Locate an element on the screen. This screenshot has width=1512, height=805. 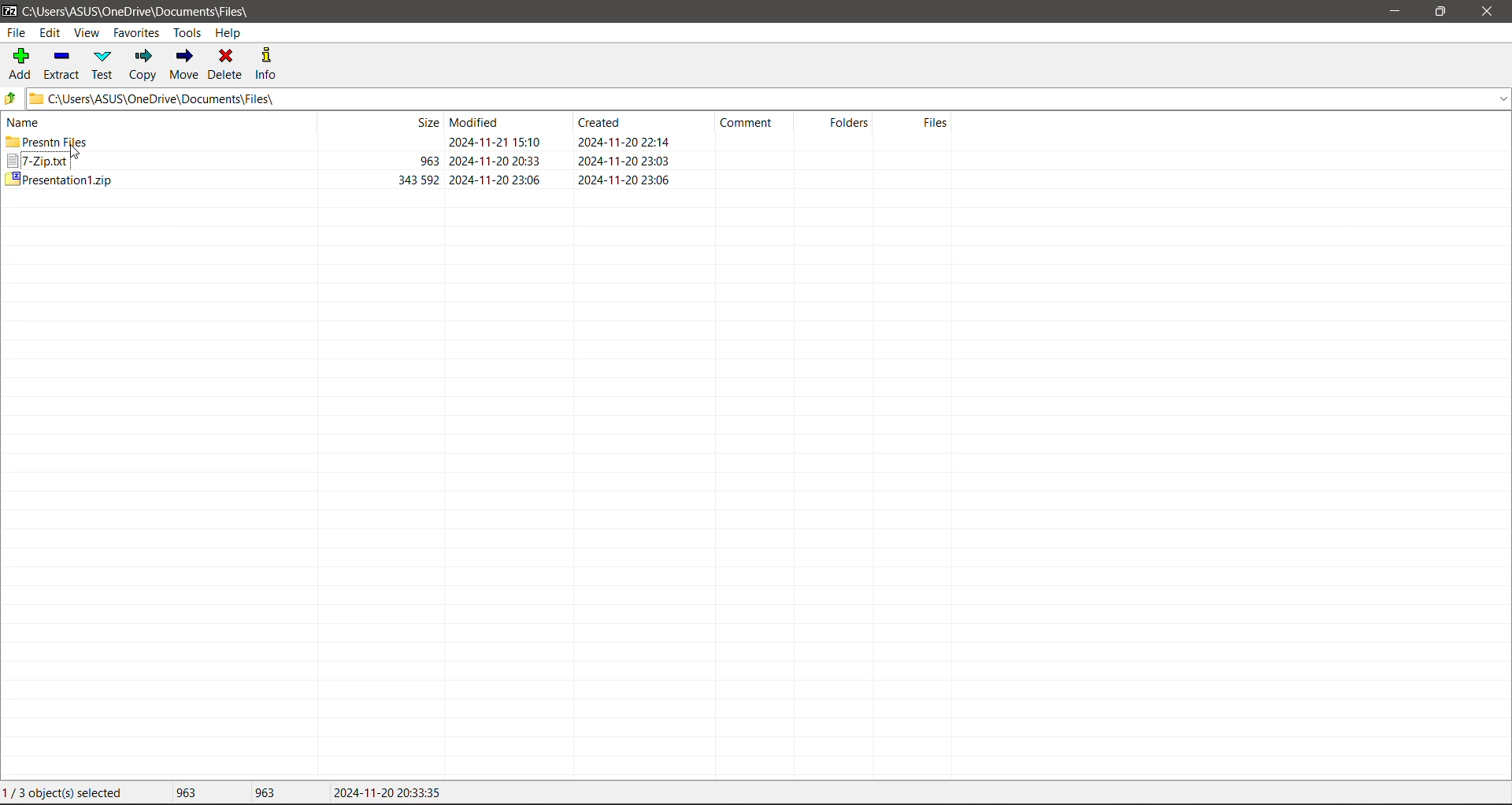
Extract is located at coordinates (61, 63).